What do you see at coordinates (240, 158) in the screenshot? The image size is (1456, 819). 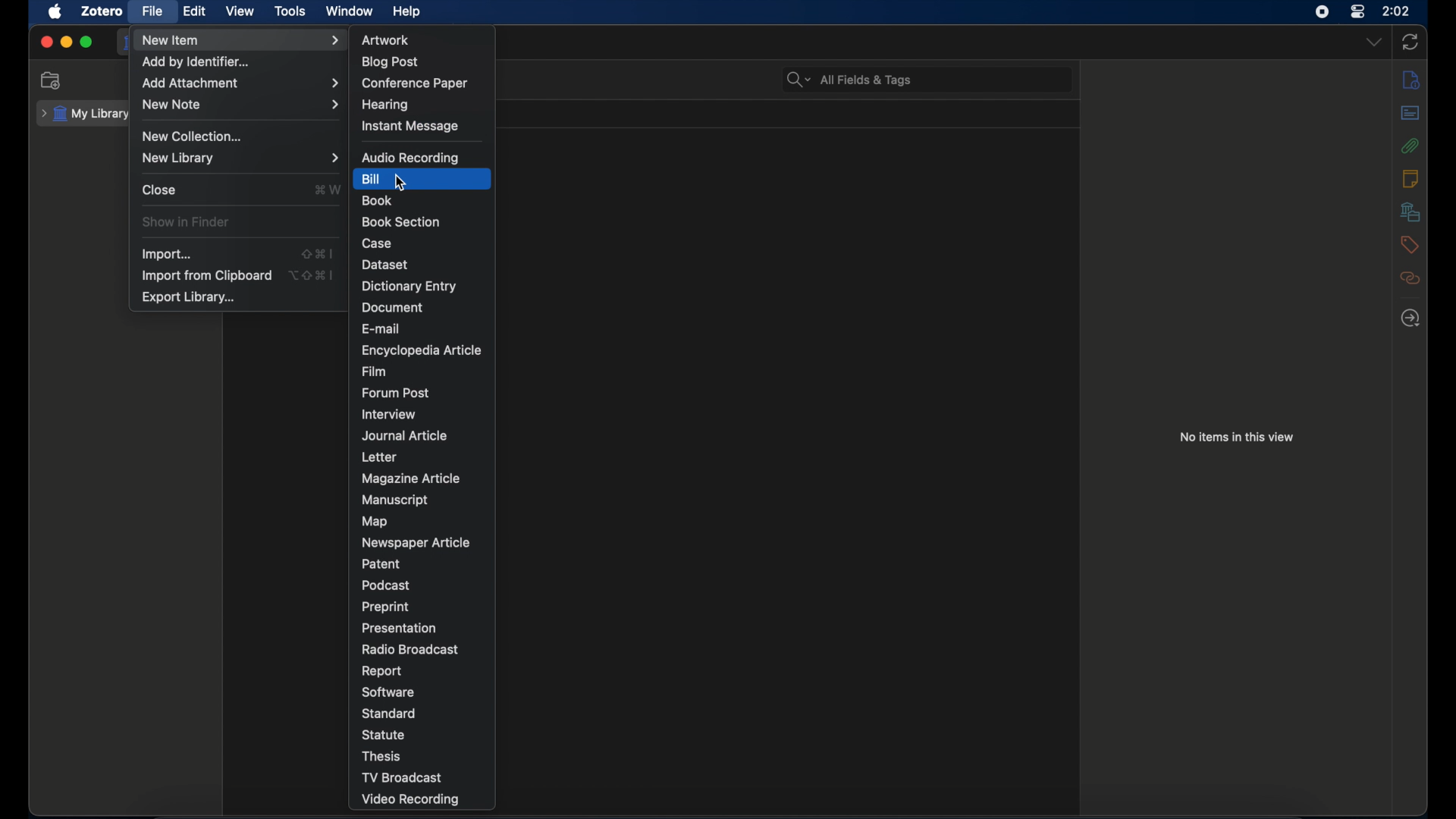 I see `new library` at bounding box center [240, 158].